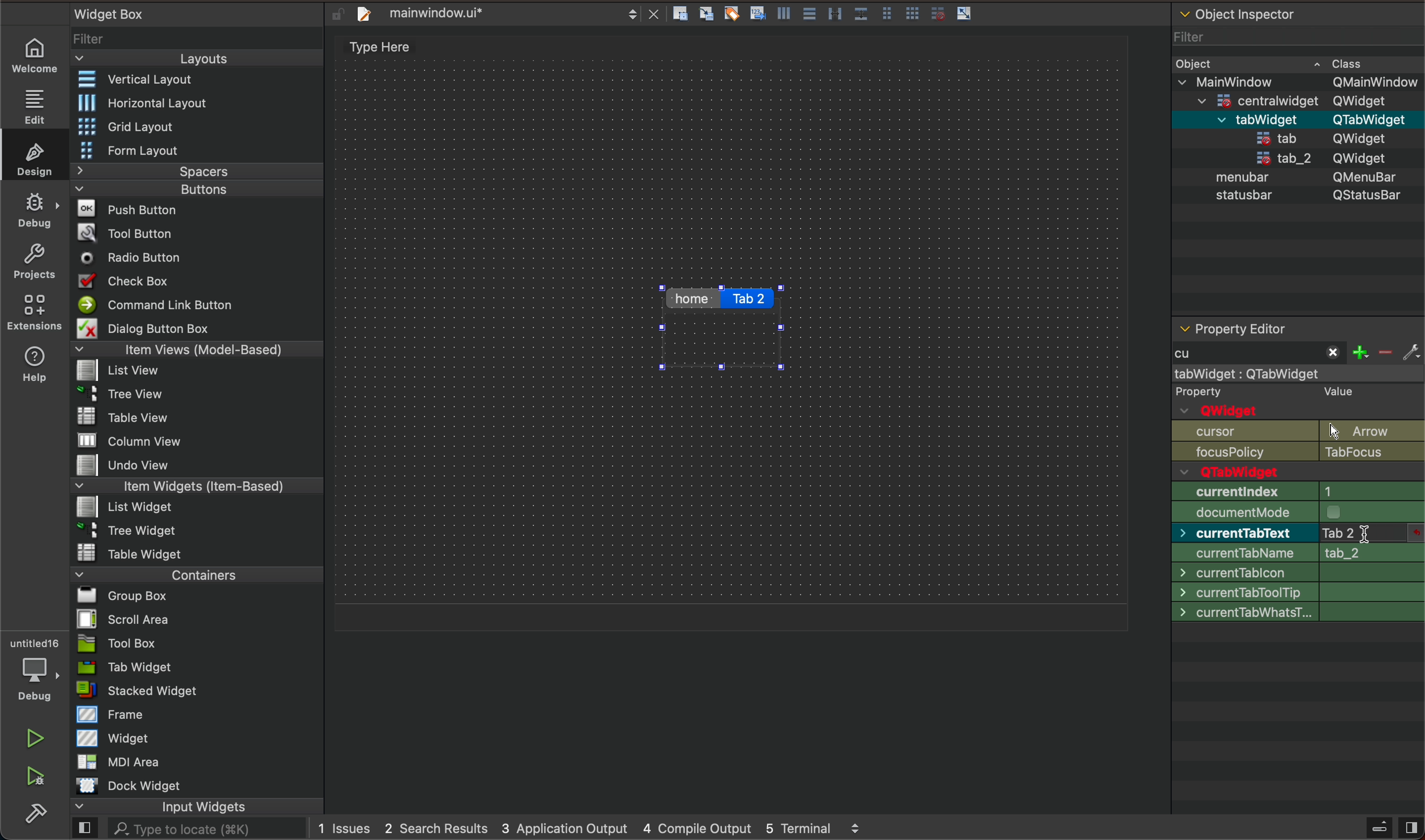 This screenshot has width=1425, height=840. What do you see at coordinates (37, 362) in the screenshot?
I see `help` at bounding box center [37, 362].